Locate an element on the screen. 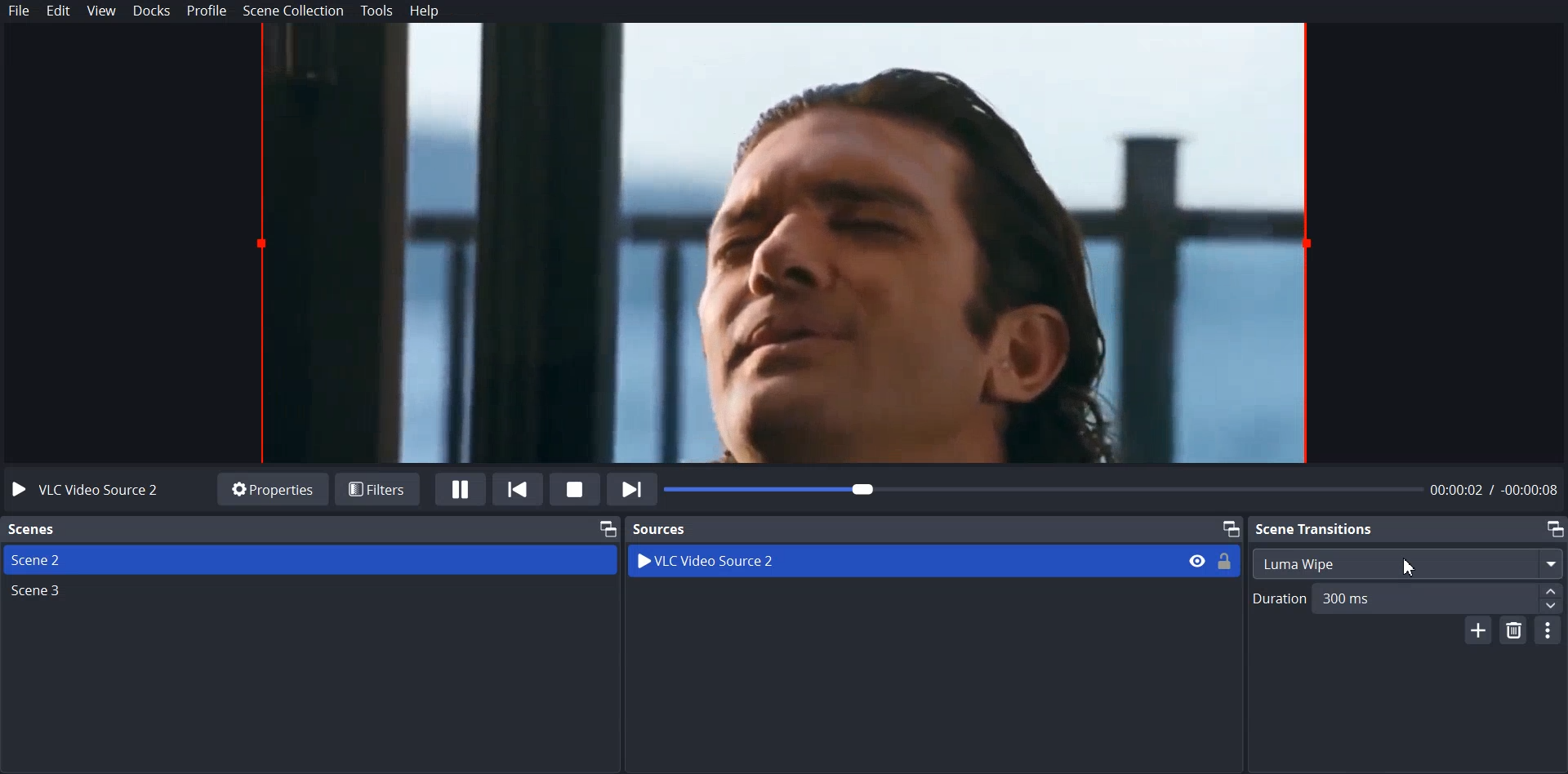 The width and height of the screenshot is (1568, 774). Scene Transition is located at coordinates (1316, 527).